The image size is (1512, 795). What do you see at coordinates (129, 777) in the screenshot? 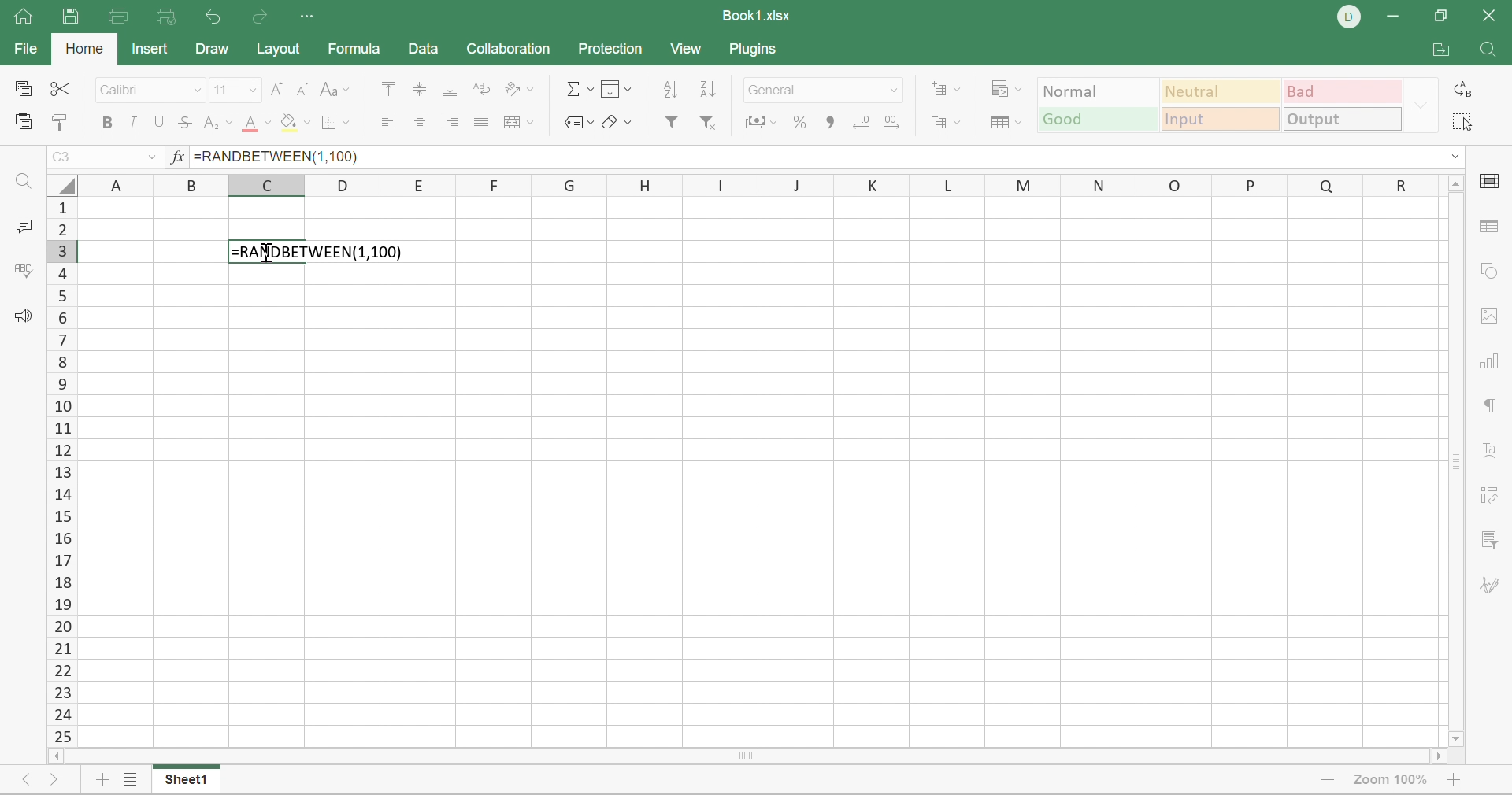
I see `List of sheets` at bounding box center [129, 777].